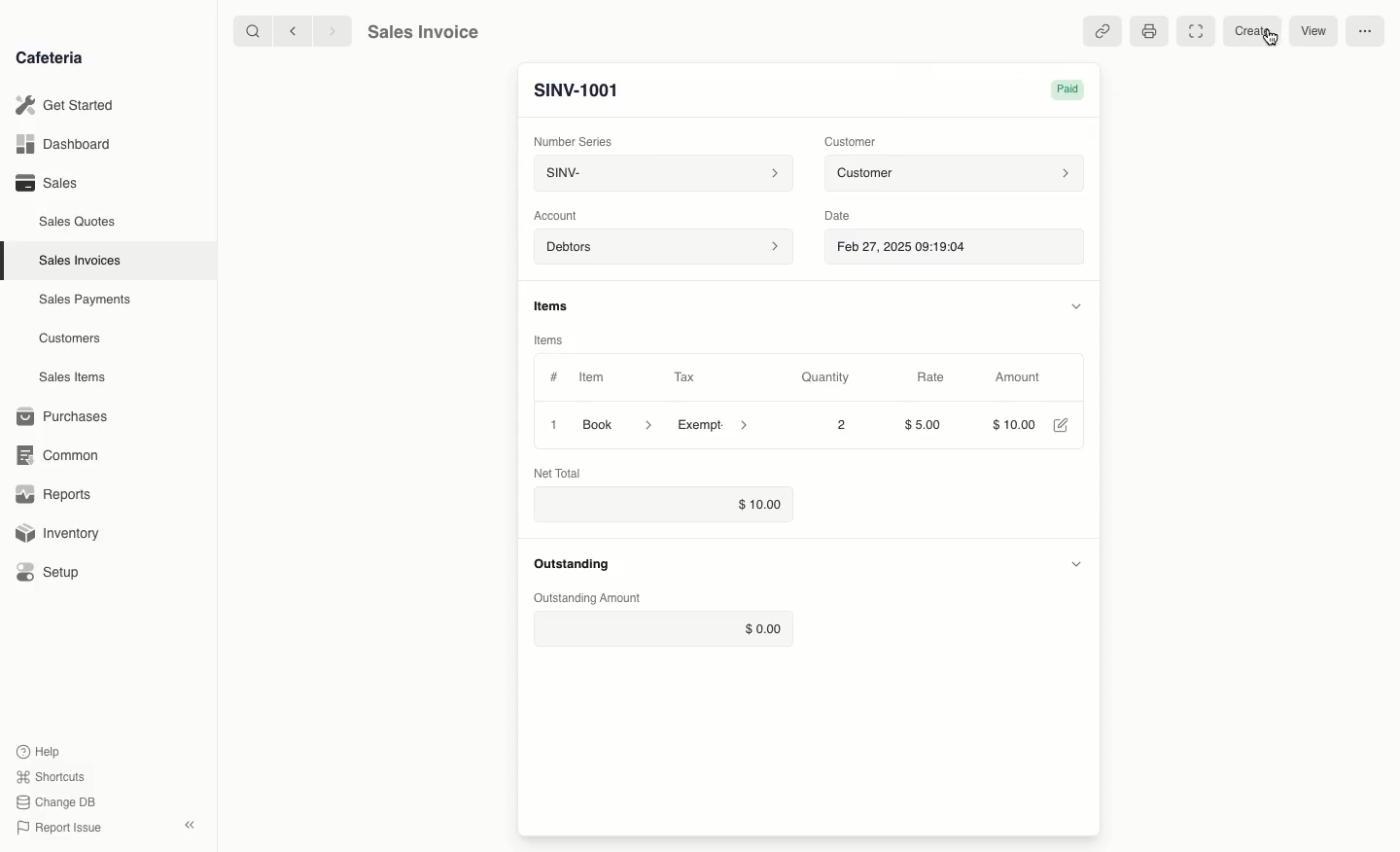 Image resolution: width=1400 pixels, height=852 pixels. Describe the element at coordinates (1011, 423) in the screenshot. I see `$10.00` at that location.